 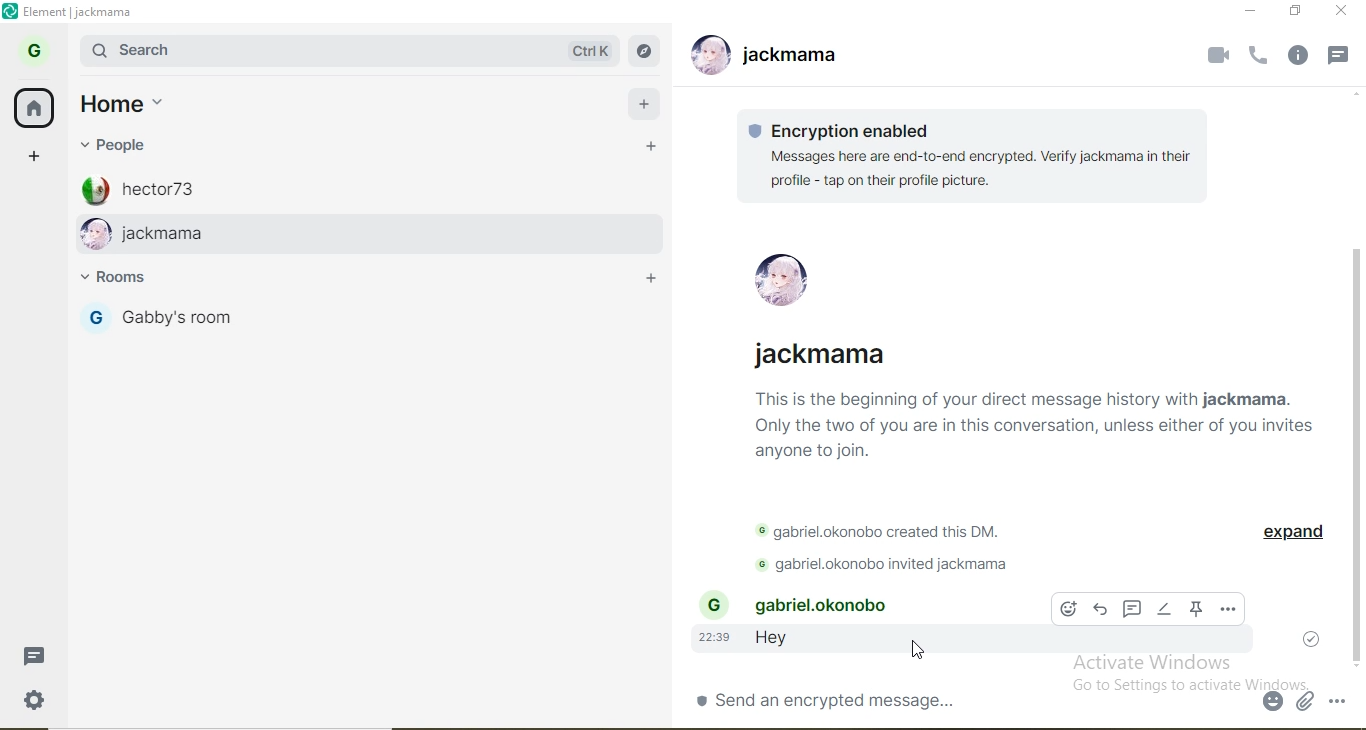 What do you see at coordinates (1257, 60) in the screenshot?
I see `voice call` at bounding box center [1257, 60].